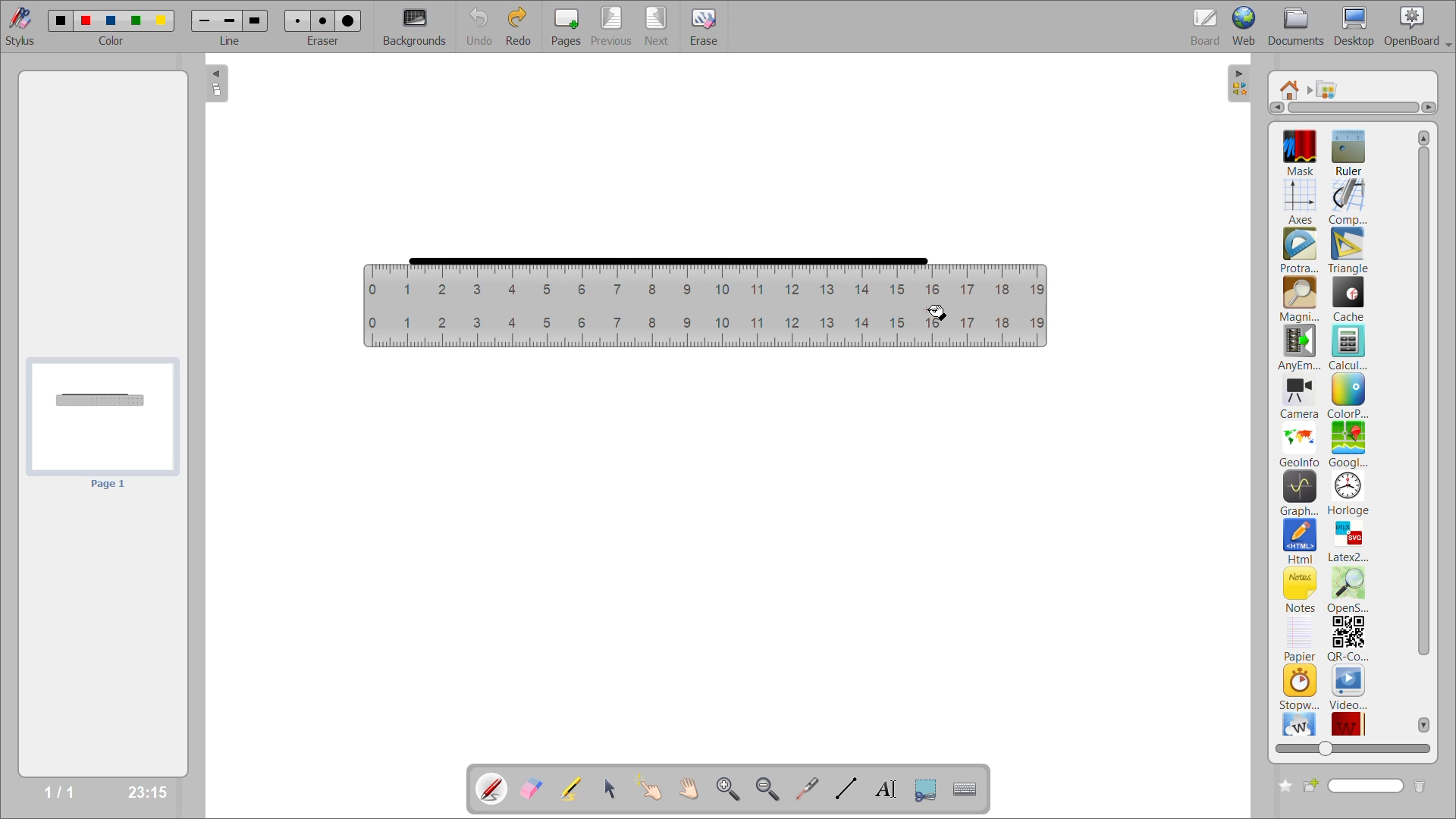 The image size is (1456, 819). Describe the element at coordinates (1299, 639) in the screenshot. I see `papier` at that location.